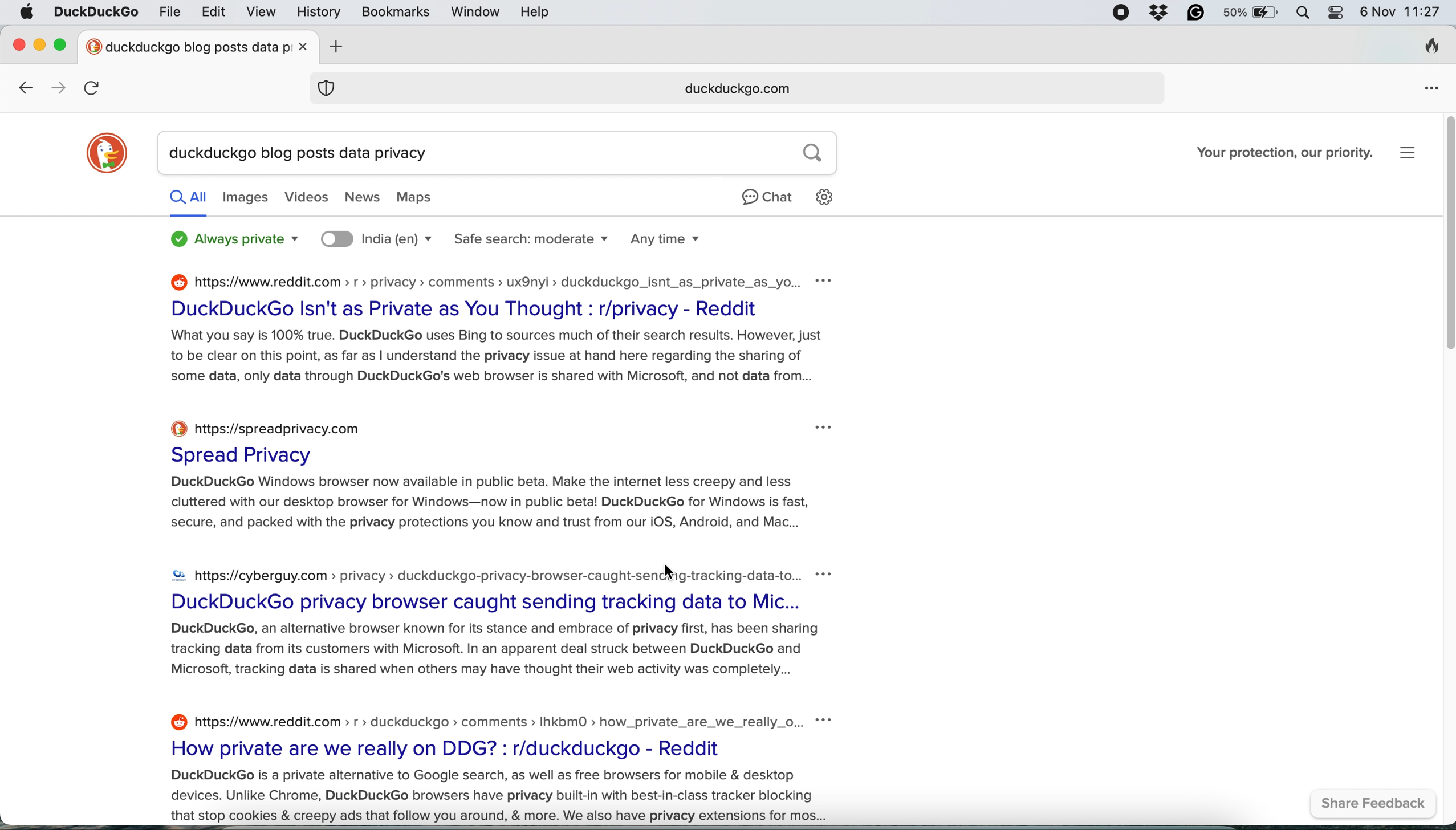 The image size is (1456, 830). What do you see at coordinates (24, 89) in the screenshot?
I see `go back` at bounding box center [24, 89].